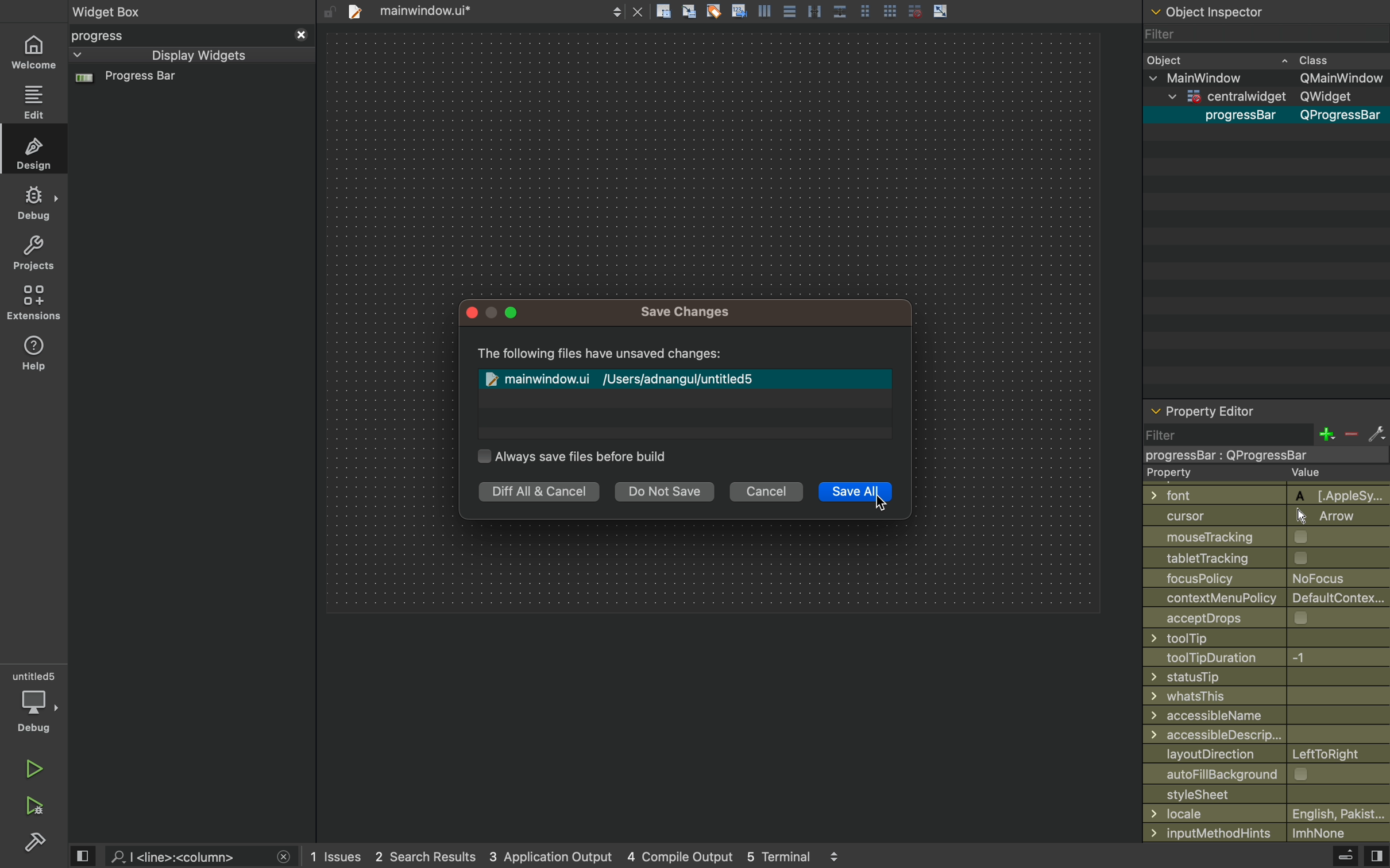  Describe the element at coordinates (1257, 577) in the screenshot. I see `focuspolicy` at that location.